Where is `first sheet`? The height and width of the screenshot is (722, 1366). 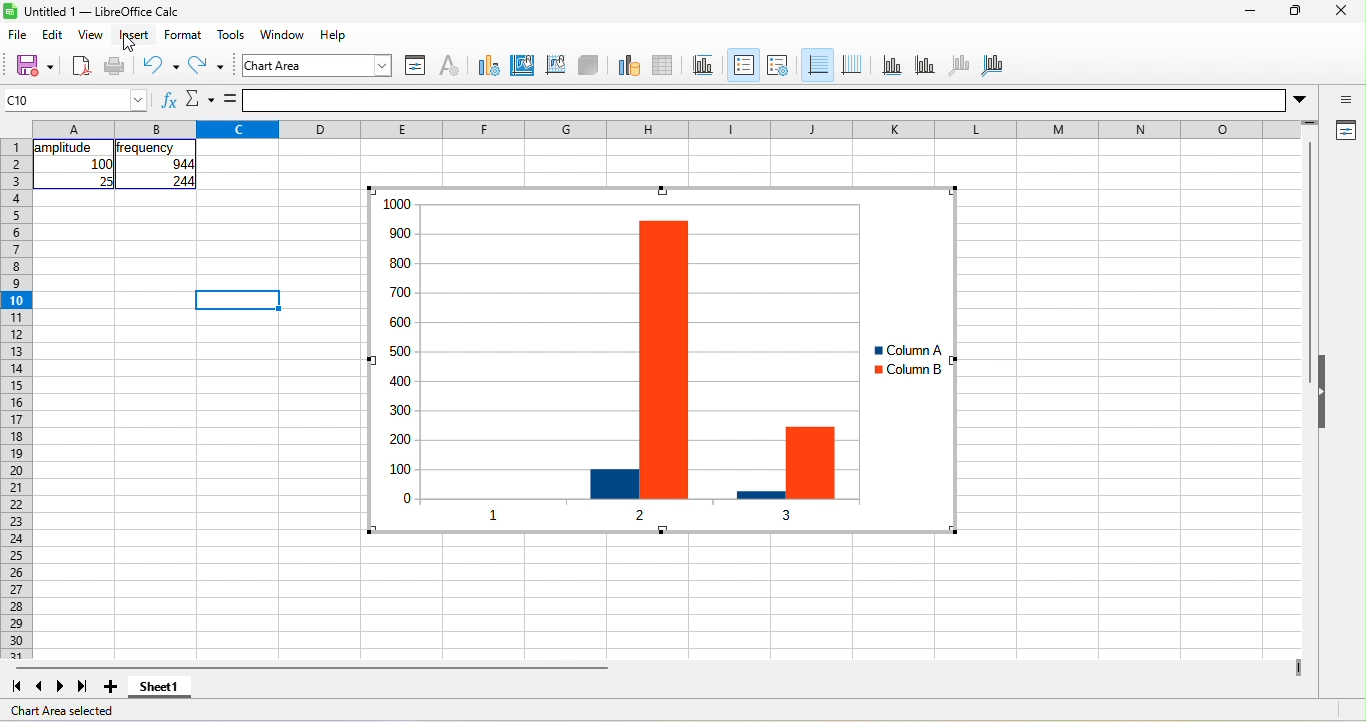
first sheet is located at coordinates (14, 685).